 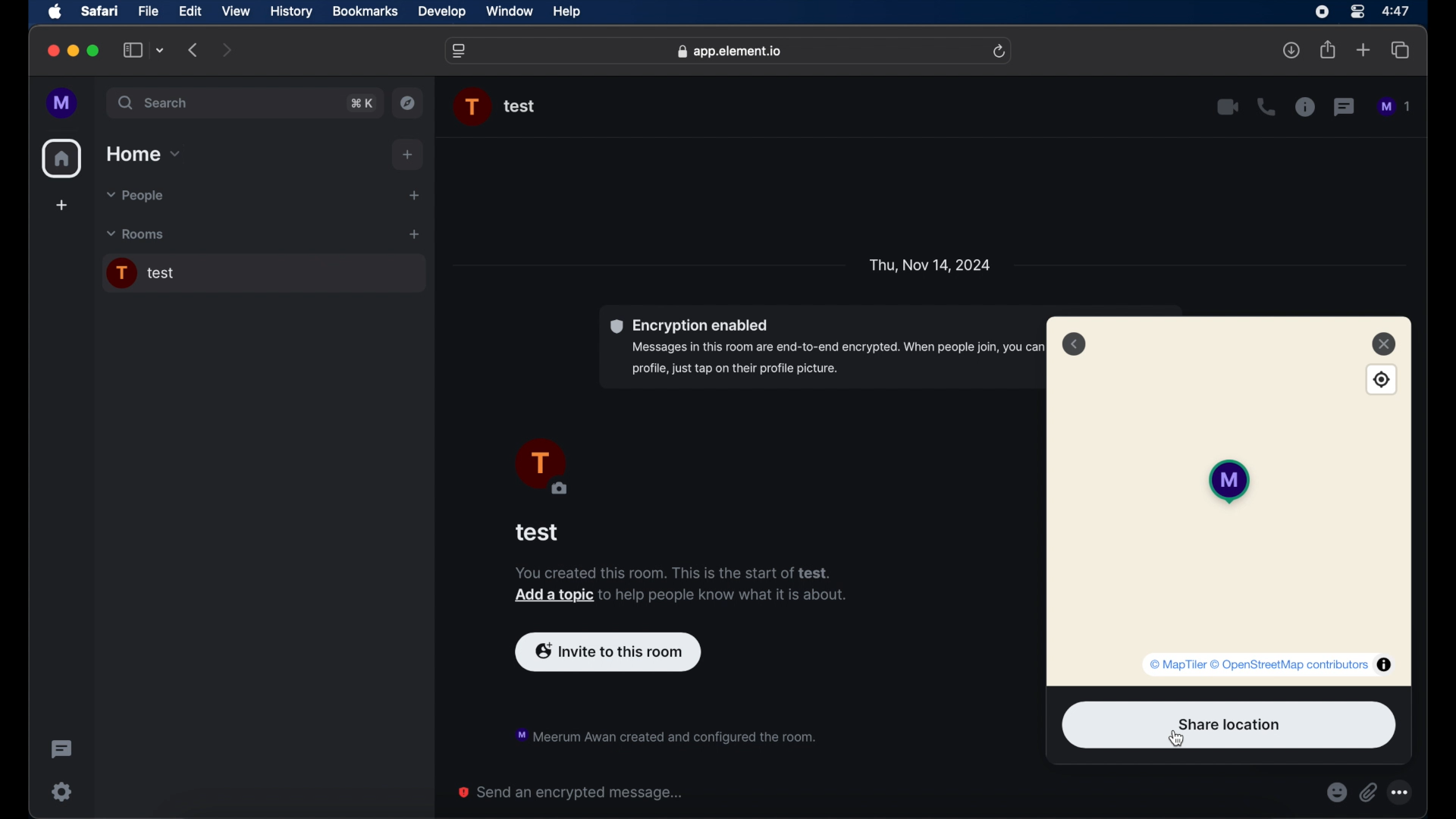 What do you see at coordinates (1001, 51) in the screenshot?
I see `refresh` at bounding box center [1001, 51].